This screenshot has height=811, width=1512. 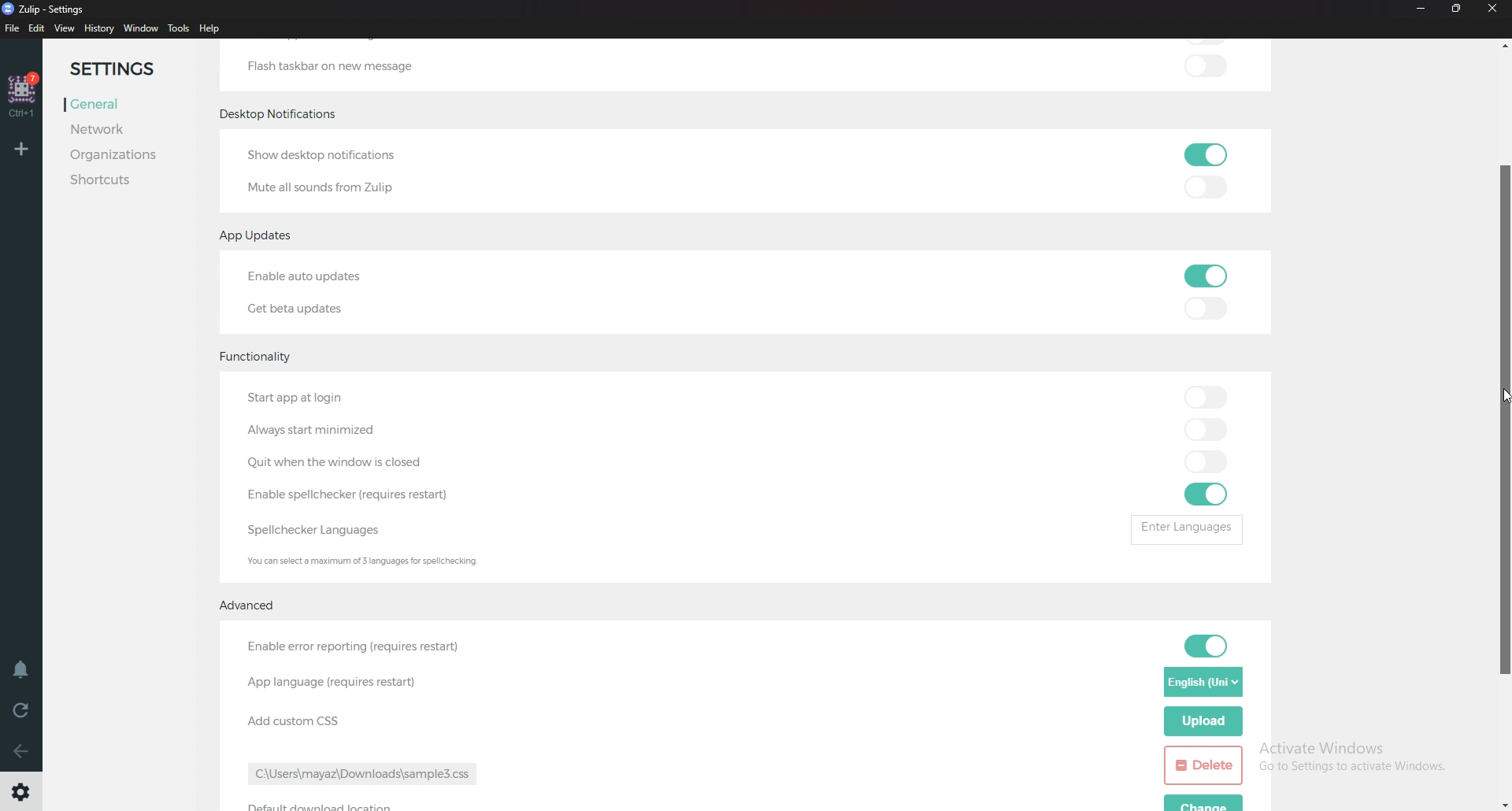 What do you see at coordinates (1203, 766) in the screenshot?
I see `delete` at bounding box center [1203, 766].